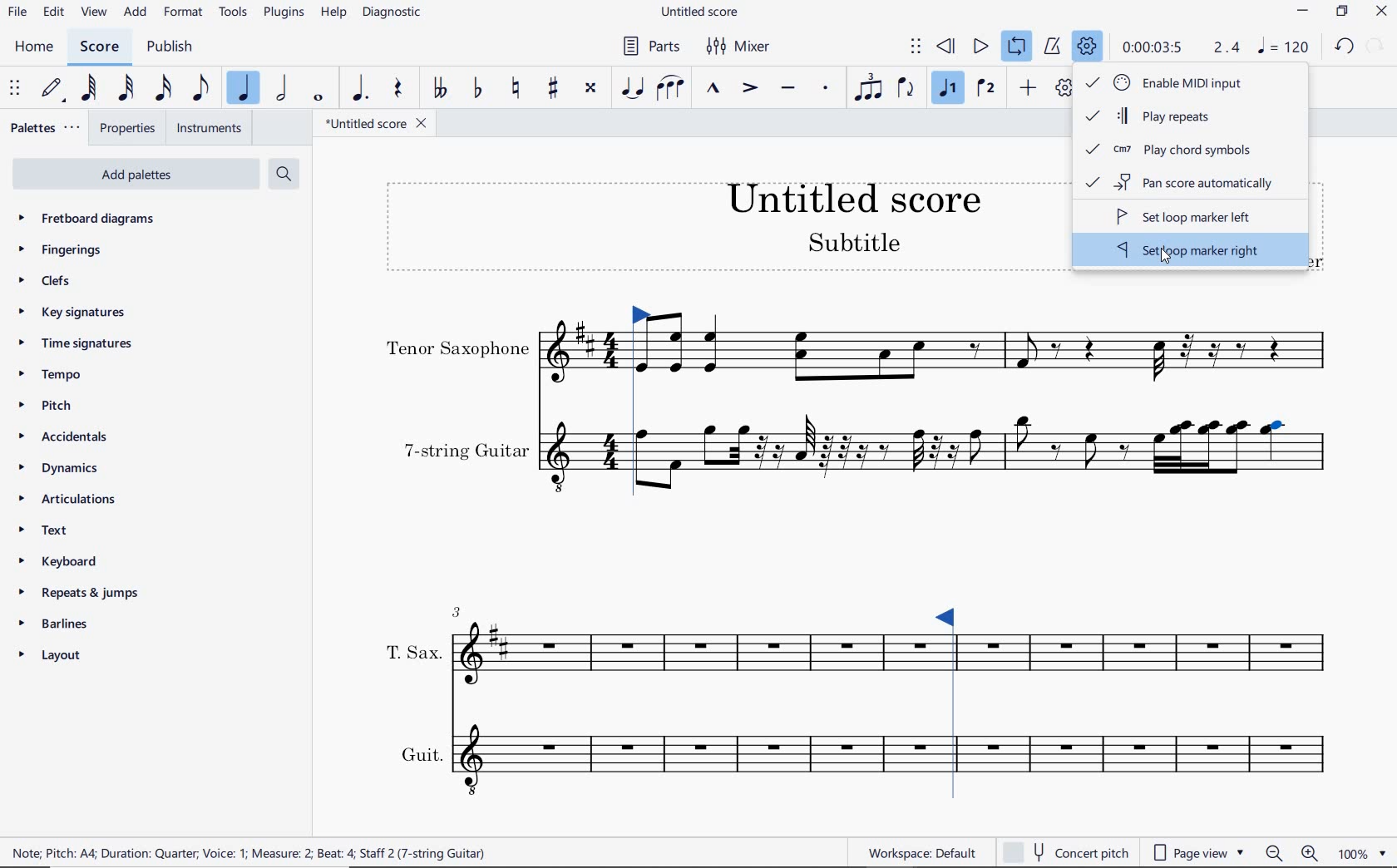  Describe the element at coordinates (916, 45) in the screenshot. I see `SELECT TO MOVE` at that location.